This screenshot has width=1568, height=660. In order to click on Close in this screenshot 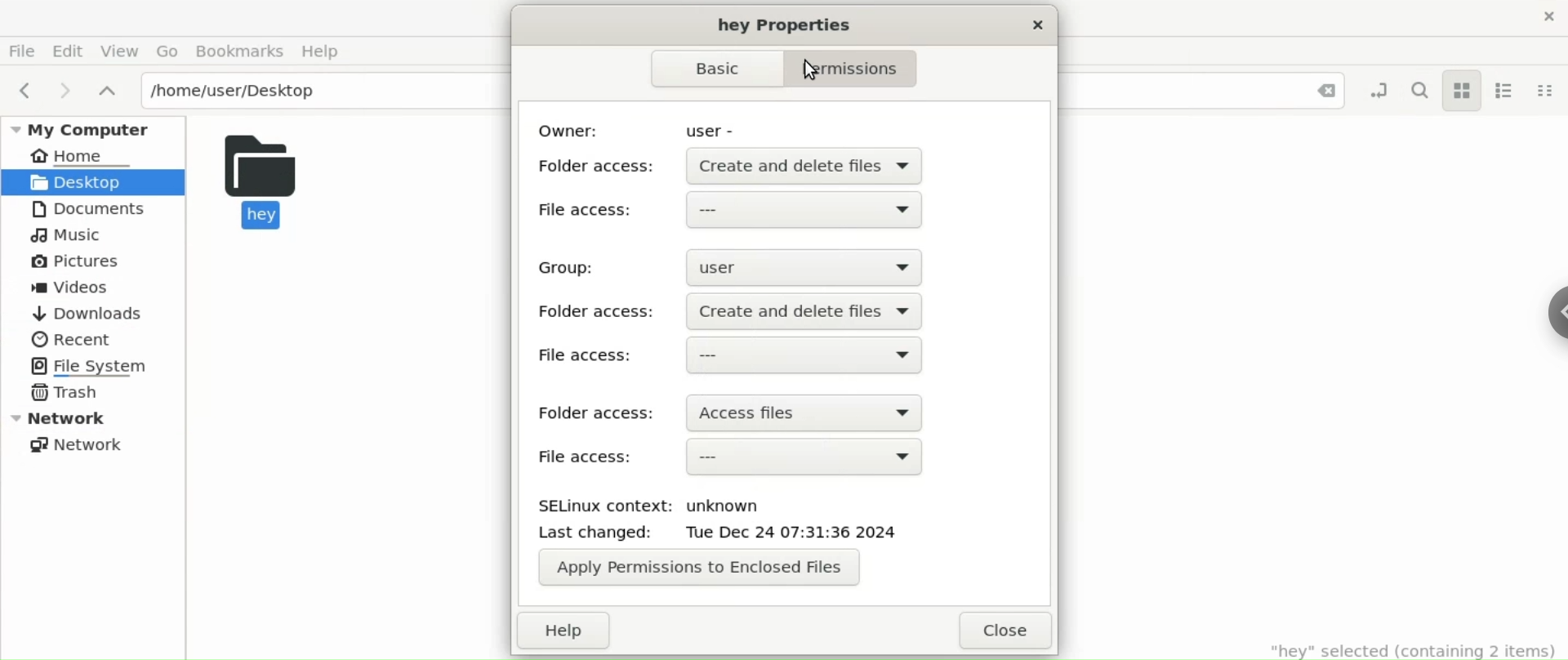, I will do `click(1325, 91)`.